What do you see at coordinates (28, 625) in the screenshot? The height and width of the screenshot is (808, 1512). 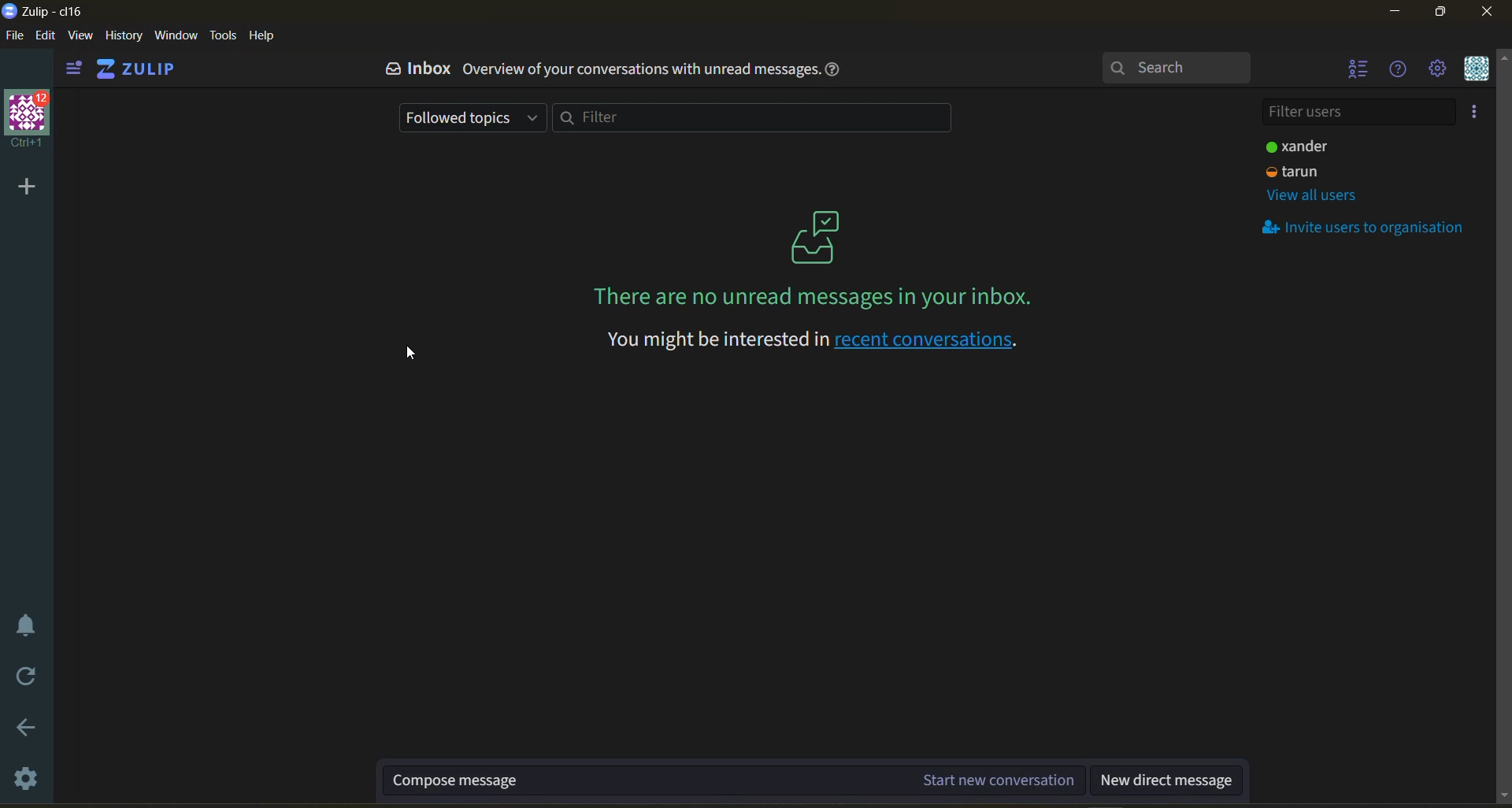 I see `enable do not disturb` at bounding box center [28, 625].